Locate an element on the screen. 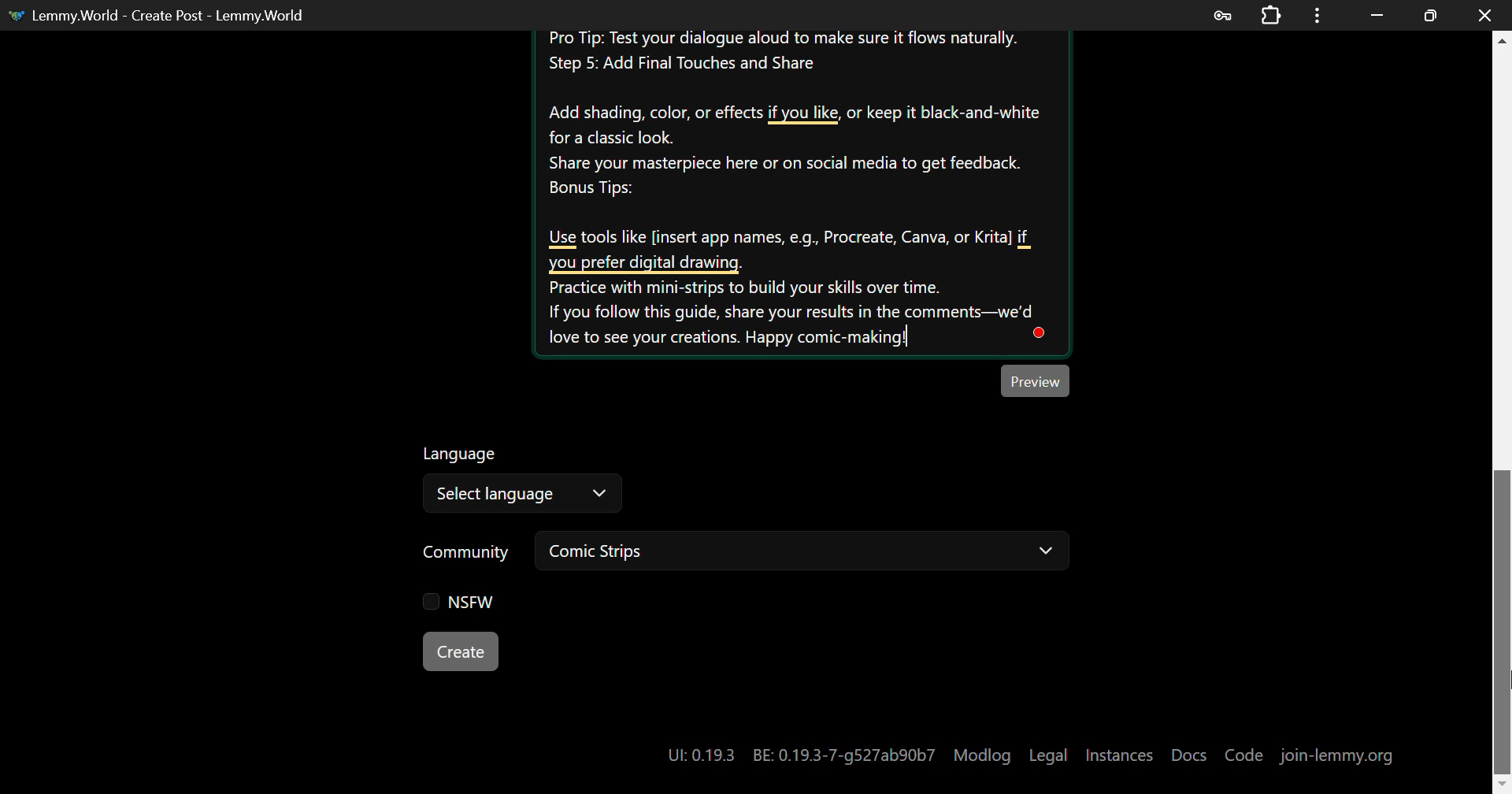  Community: Comic Strips is located at coordinates (739, 549).